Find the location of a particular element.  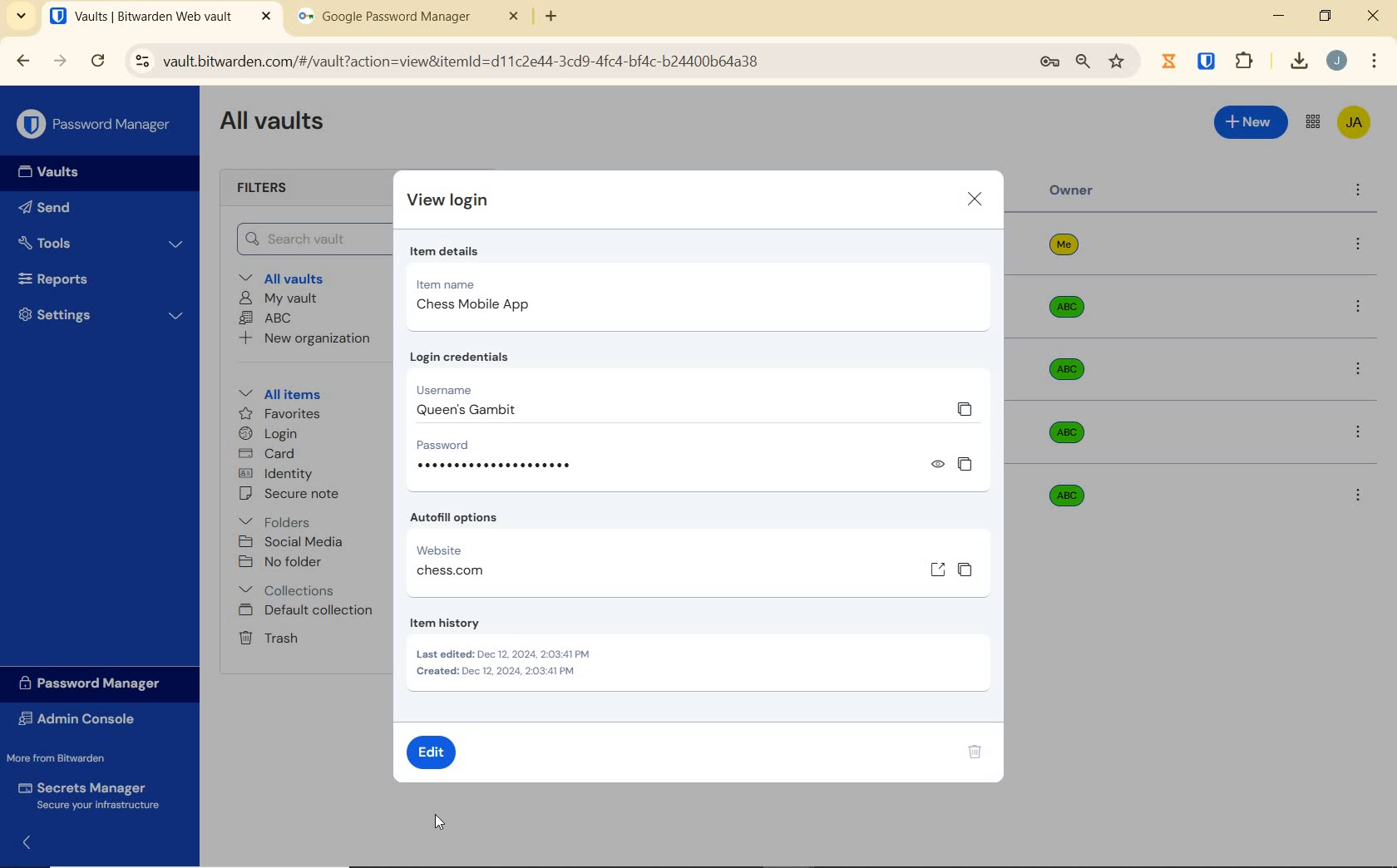

Social media is located at coordinates (289, 541).